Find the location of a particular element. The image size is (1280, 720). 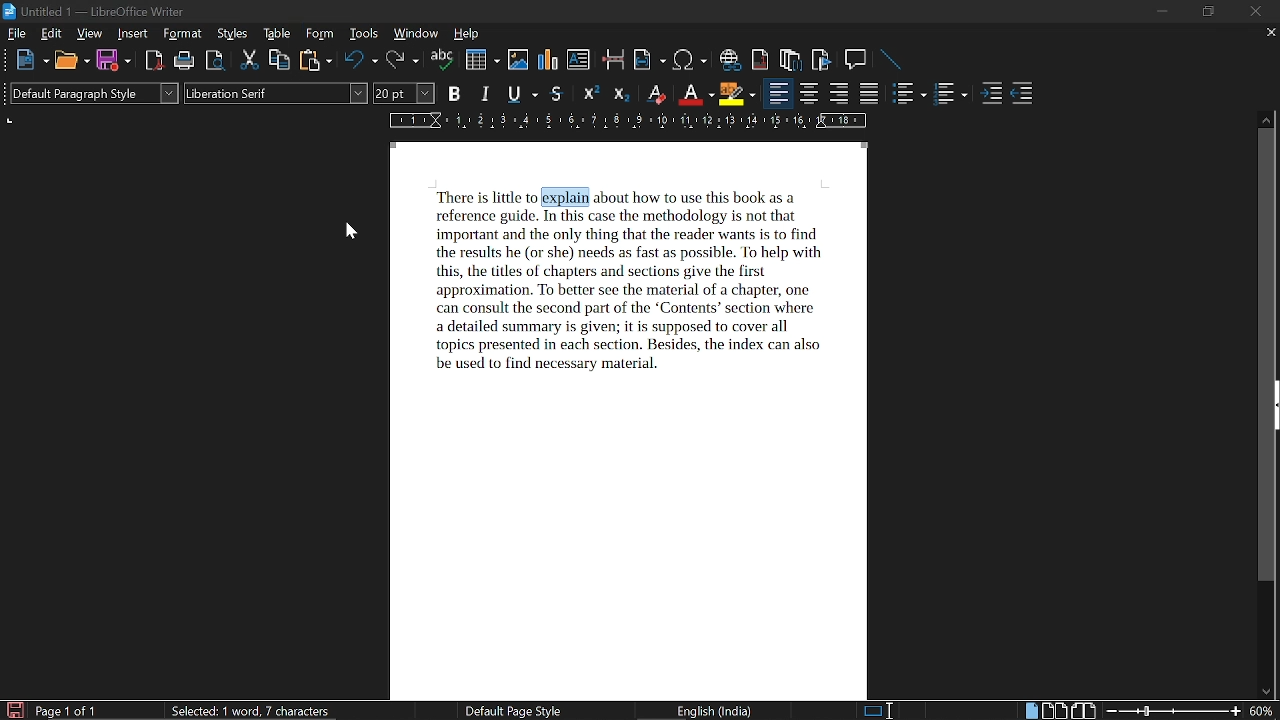

insert footnote is located at coordinates (791, 60).